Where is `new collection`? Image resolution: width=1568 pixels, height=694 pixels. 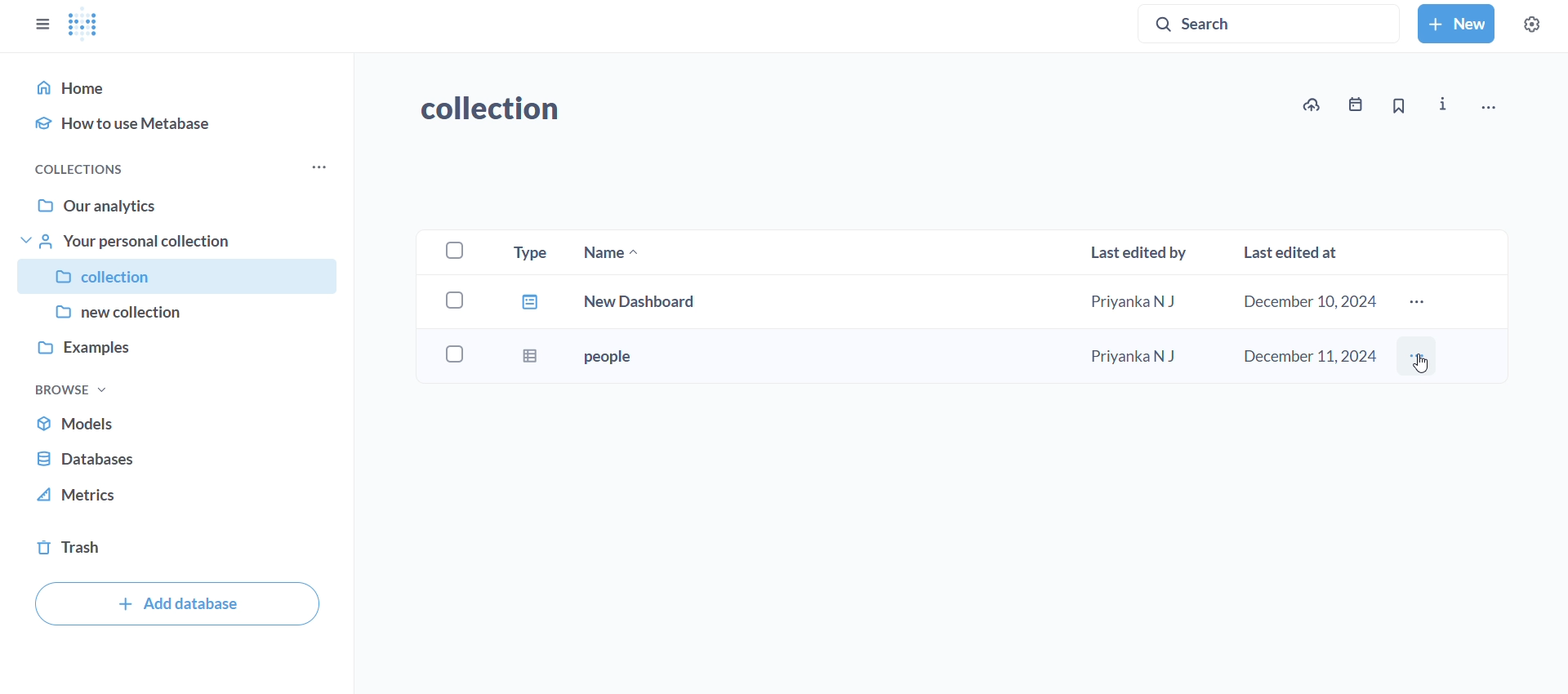 new collection is located at coordinates (178, 313).